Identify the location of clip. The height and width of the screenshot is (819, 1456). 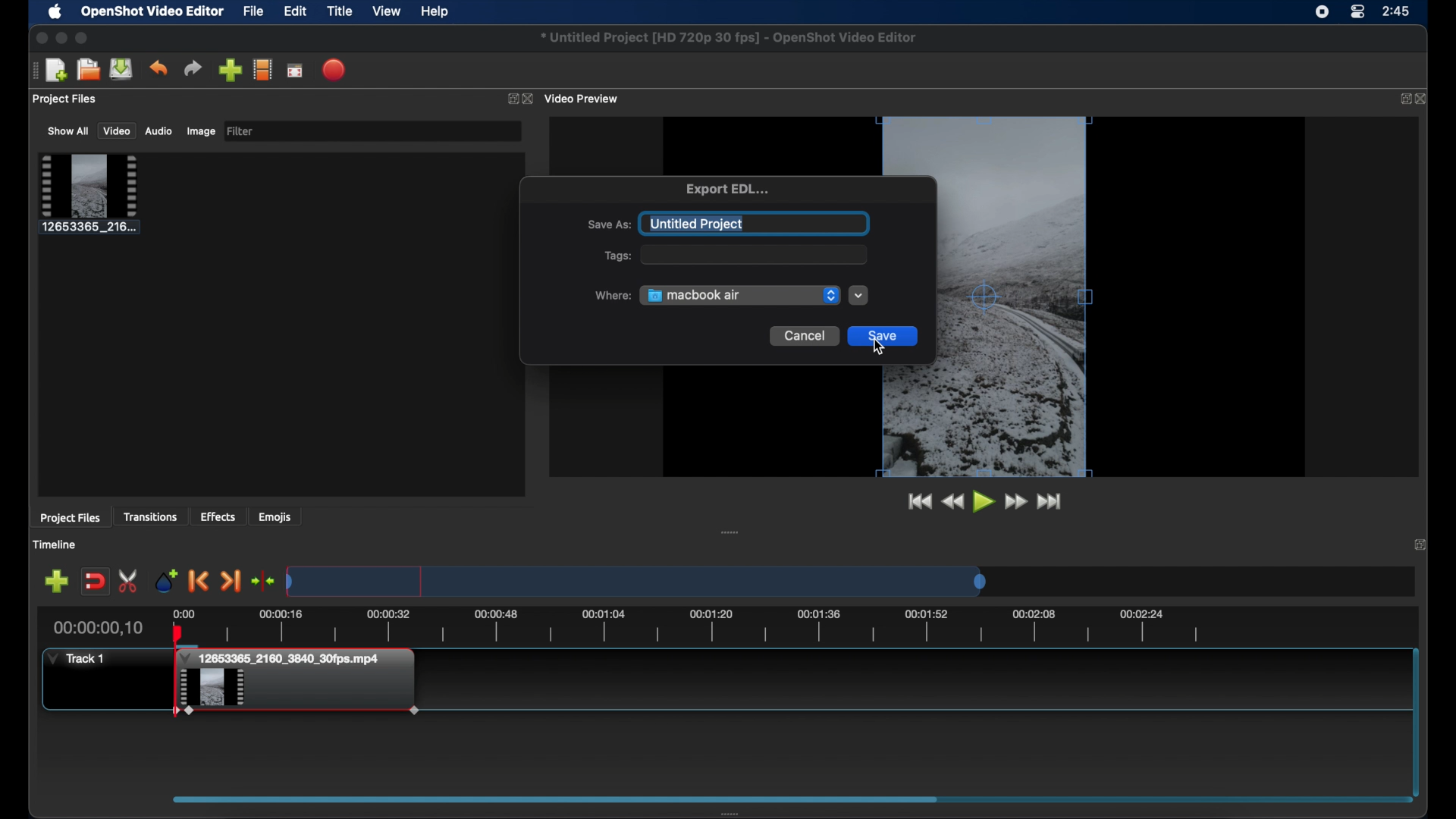
(297, 694).